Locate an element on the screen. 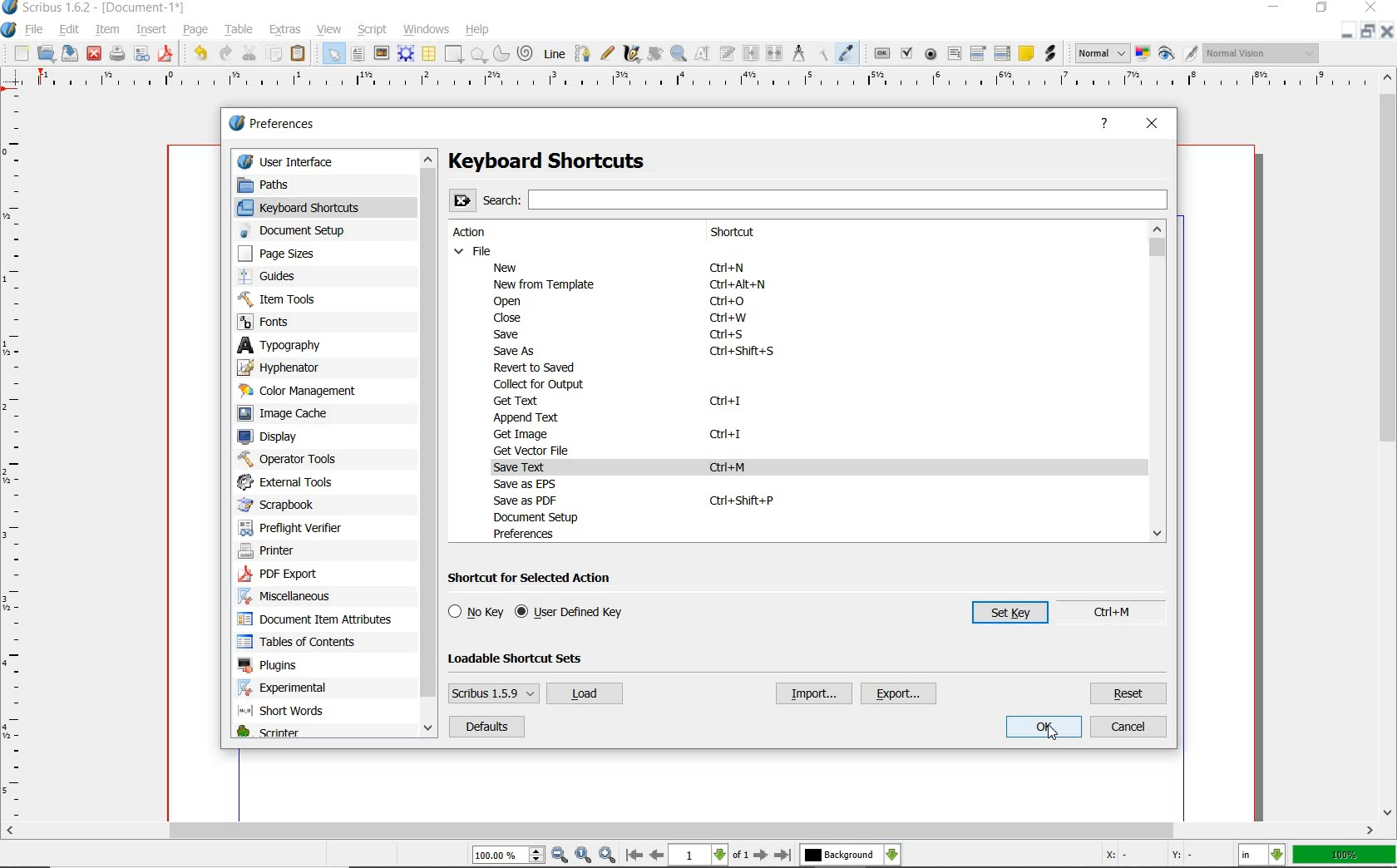 Image resolution: width=1397 pixels, height=868 pixels. pdf check box is located at coordinates (906, 52).